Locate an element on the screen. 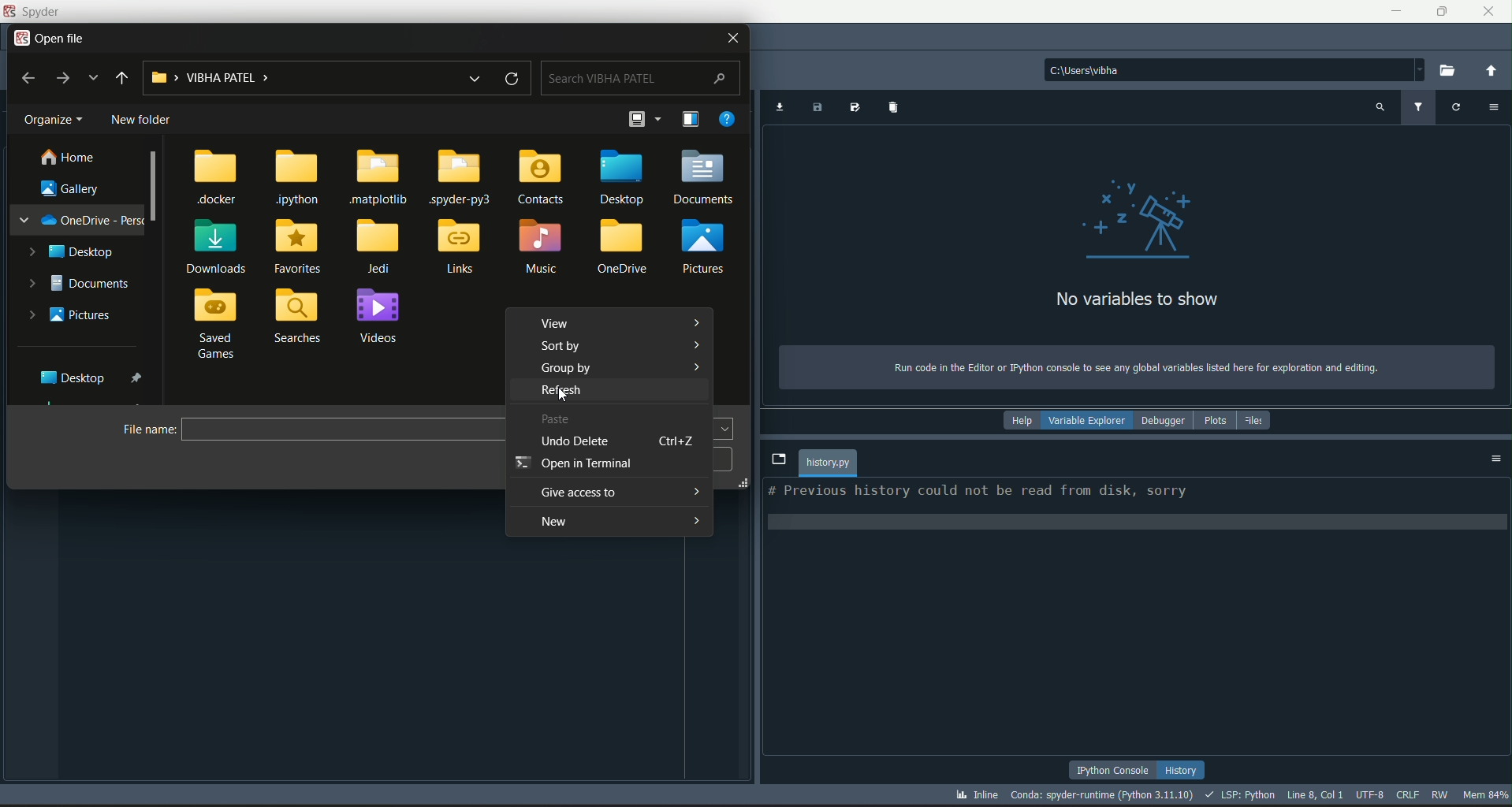 The height and width of the screenshot is (807, 1512). ctrl+Z is located at coordinates (674, 441).